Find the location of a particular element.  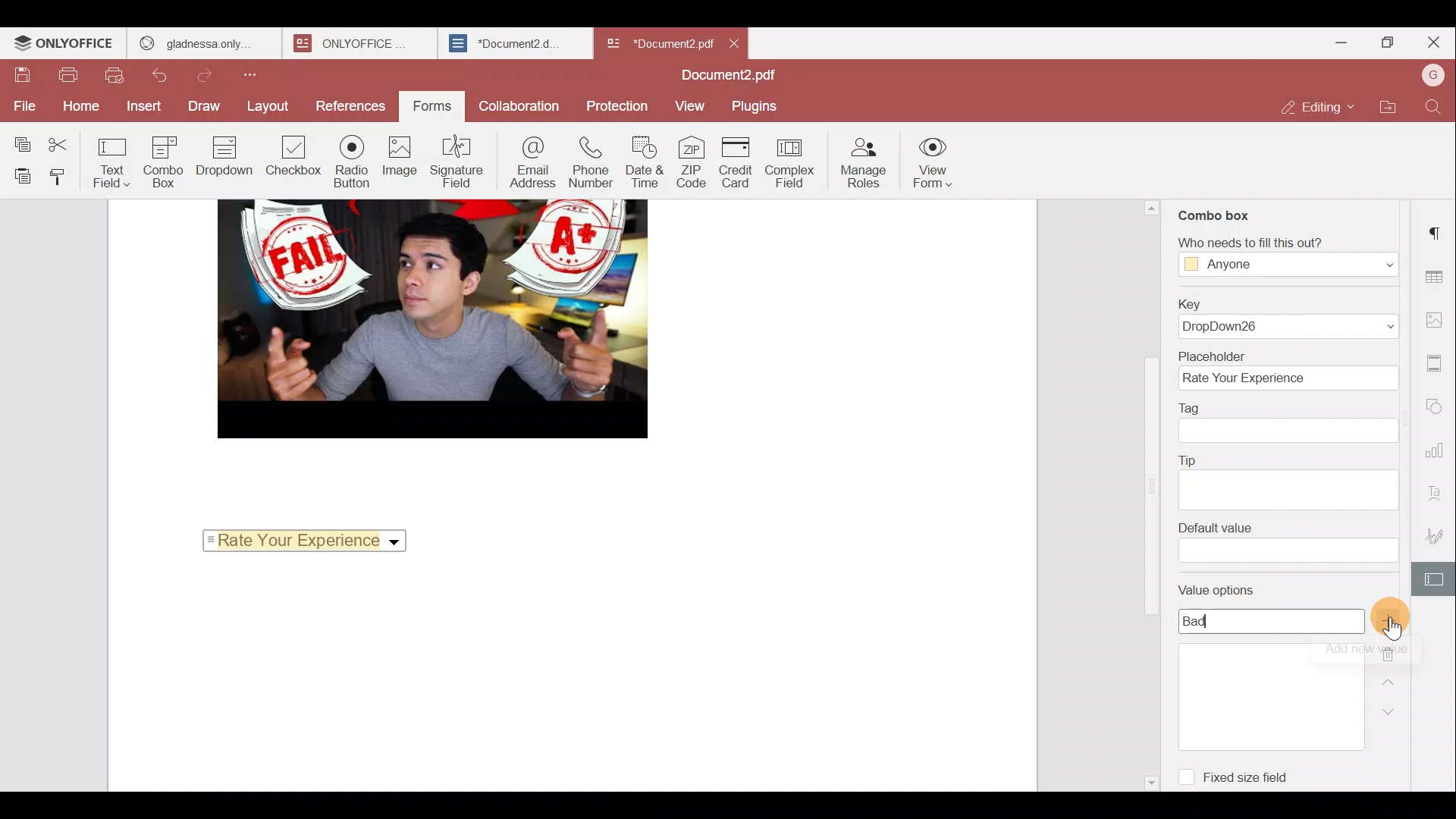

Copy is located at coordinates (22, 141).